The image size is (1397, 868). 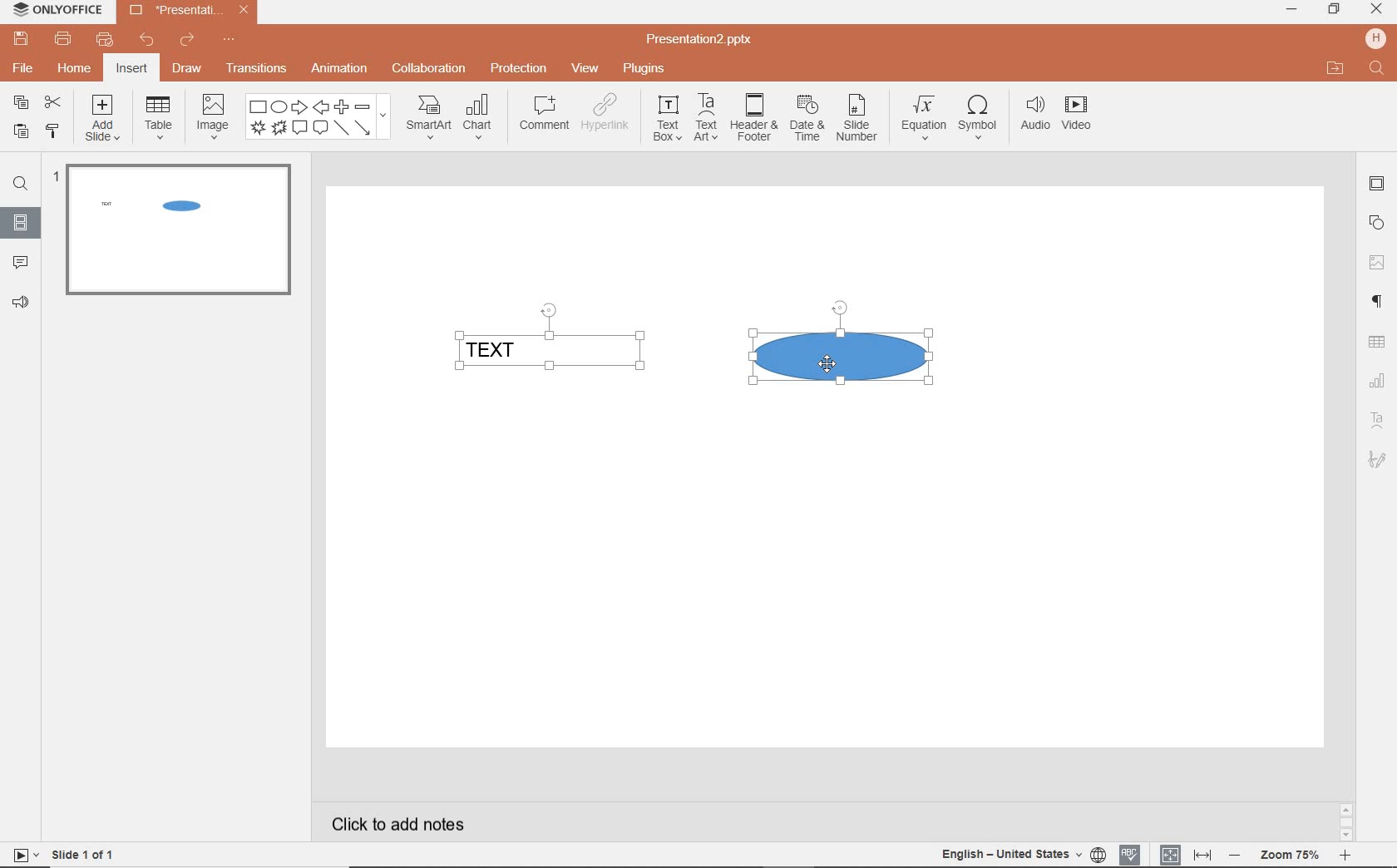 I want to click on smartart, so click(x=428, y=116).